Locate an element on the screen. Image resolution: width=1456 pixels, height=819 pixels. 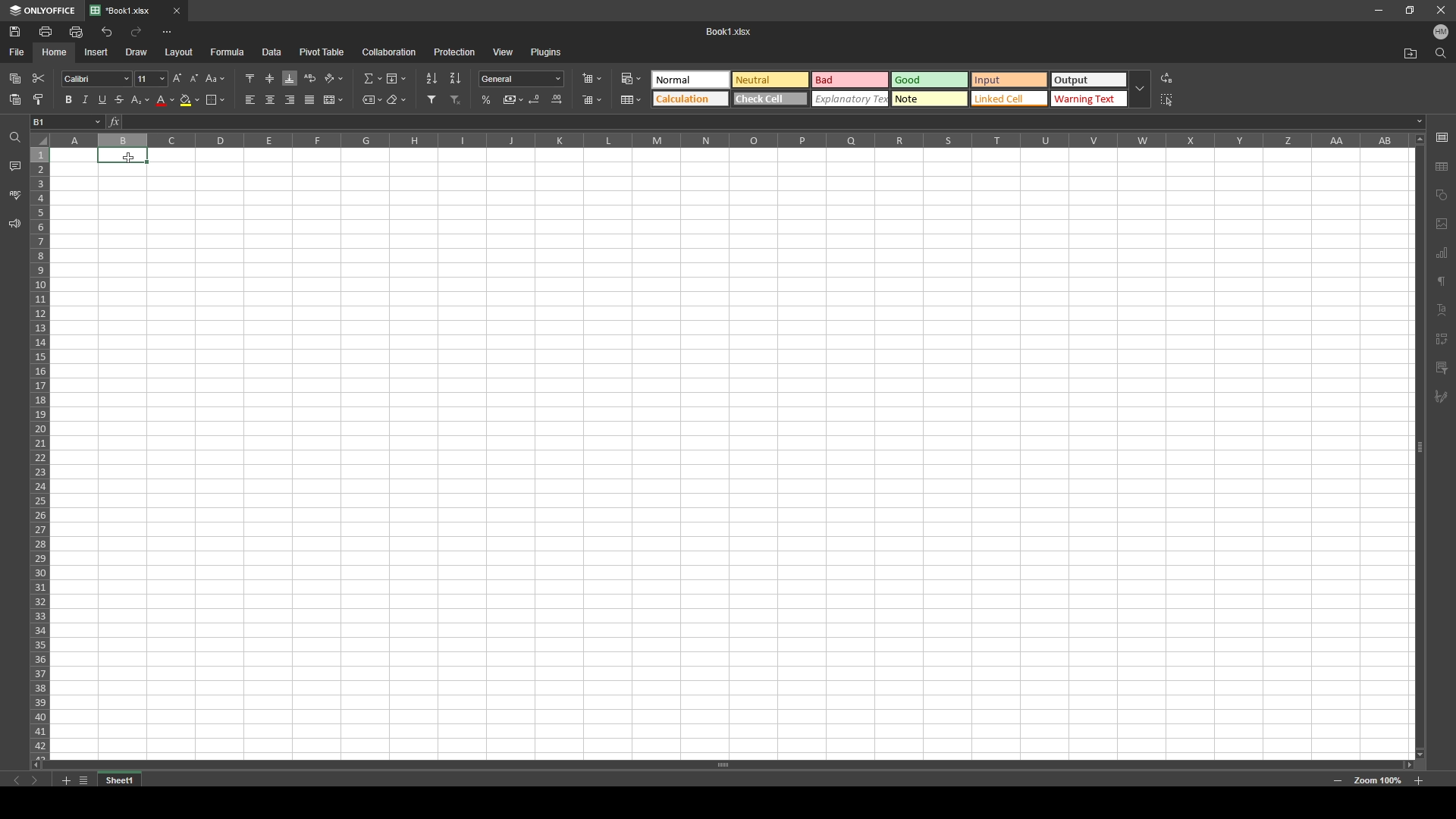
align center is located at coordinates (271, 99).